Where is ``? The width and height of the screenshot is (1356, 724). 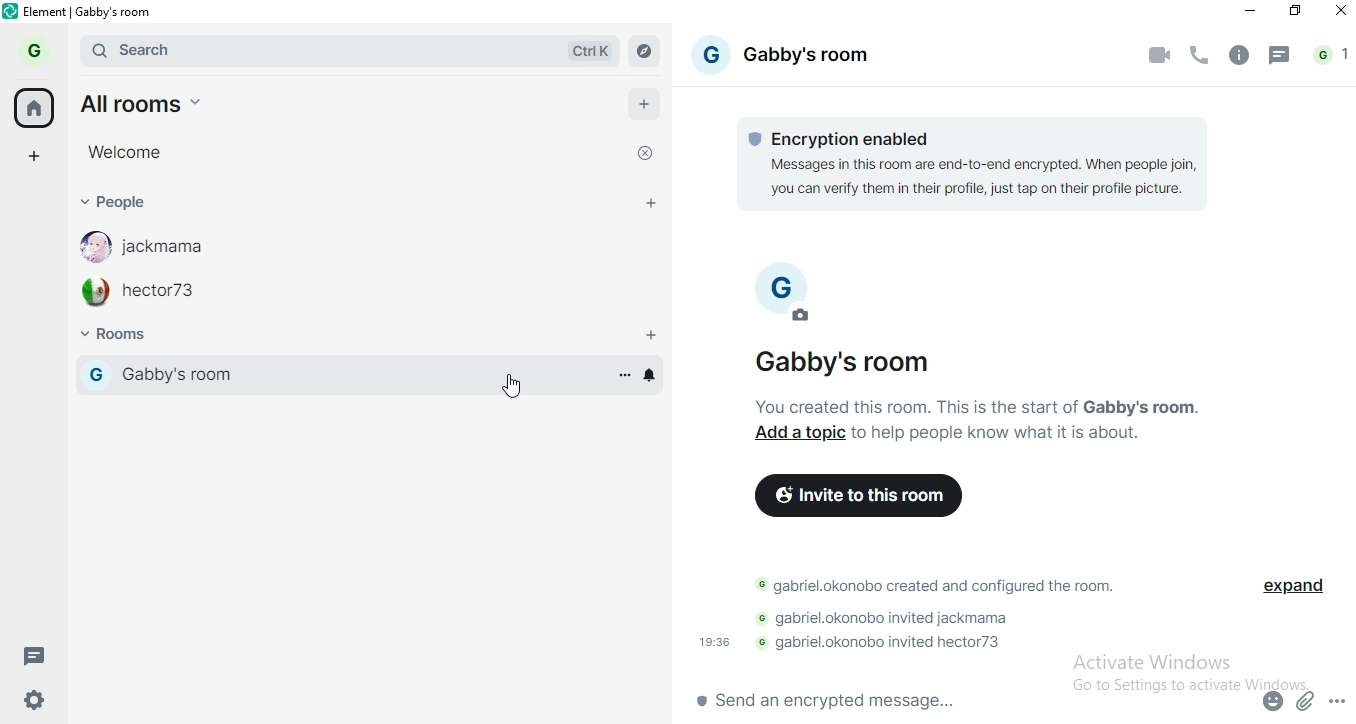  is located at coordinates (1340, 697).